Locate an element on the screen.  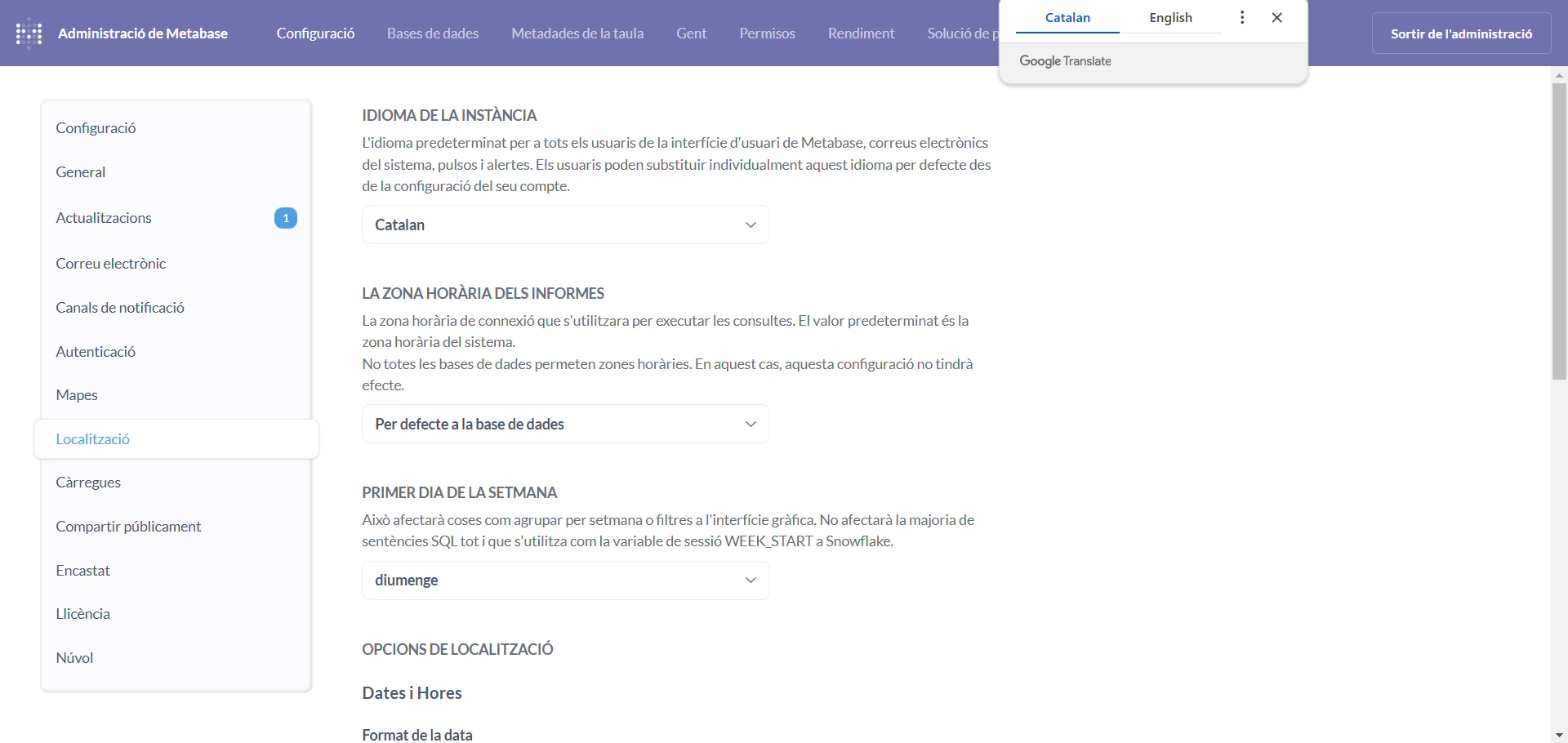
PRIMER DIA DE LA SETMANA
Aix afectara coses com agrupar per setmana o filtres a l'interficie grafica. No afectara la majoria de
senténcies SQL tot i que s'utilitza com la variable de sessi6 WEEK_START a Snowflake. is located at coordinates (684, 515).